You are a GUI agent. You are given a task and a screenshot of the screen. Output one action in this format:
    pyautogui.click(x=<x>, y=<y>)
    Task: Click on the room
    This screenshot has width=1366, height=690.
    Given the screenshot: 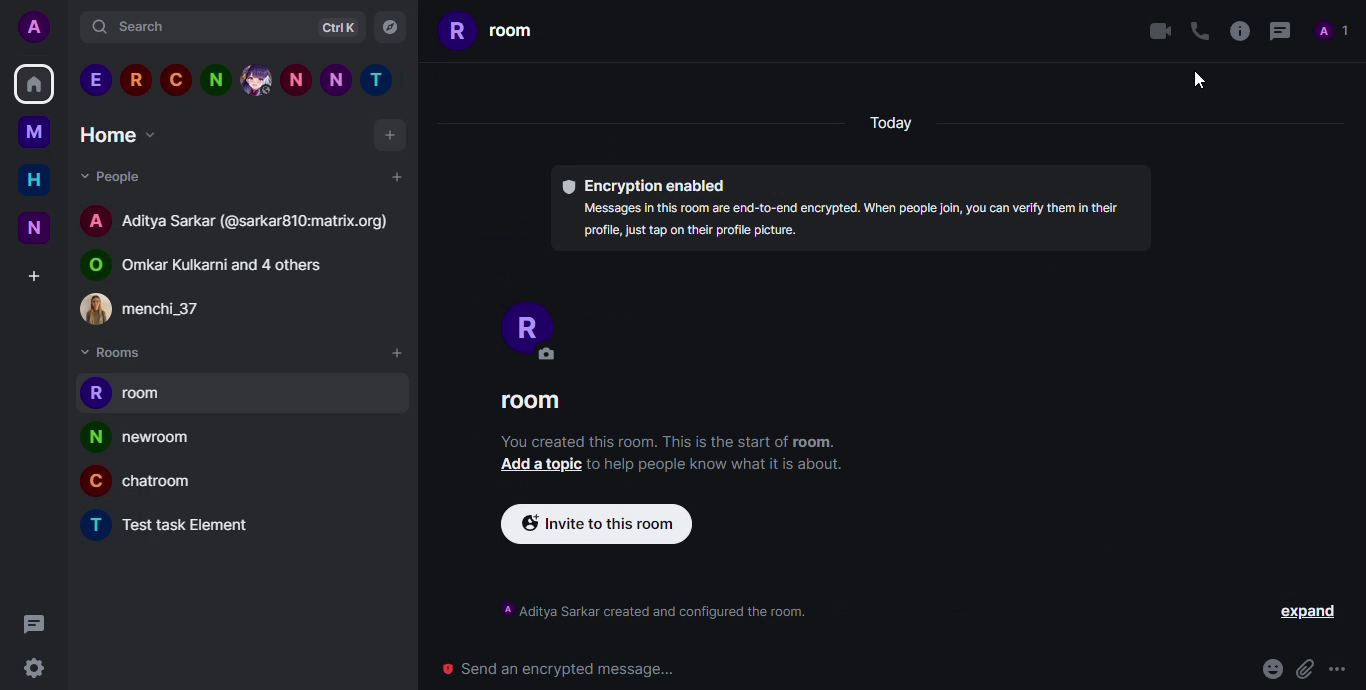 What is the action you would take?
    pyautogui.click(x=165, y=486)
    